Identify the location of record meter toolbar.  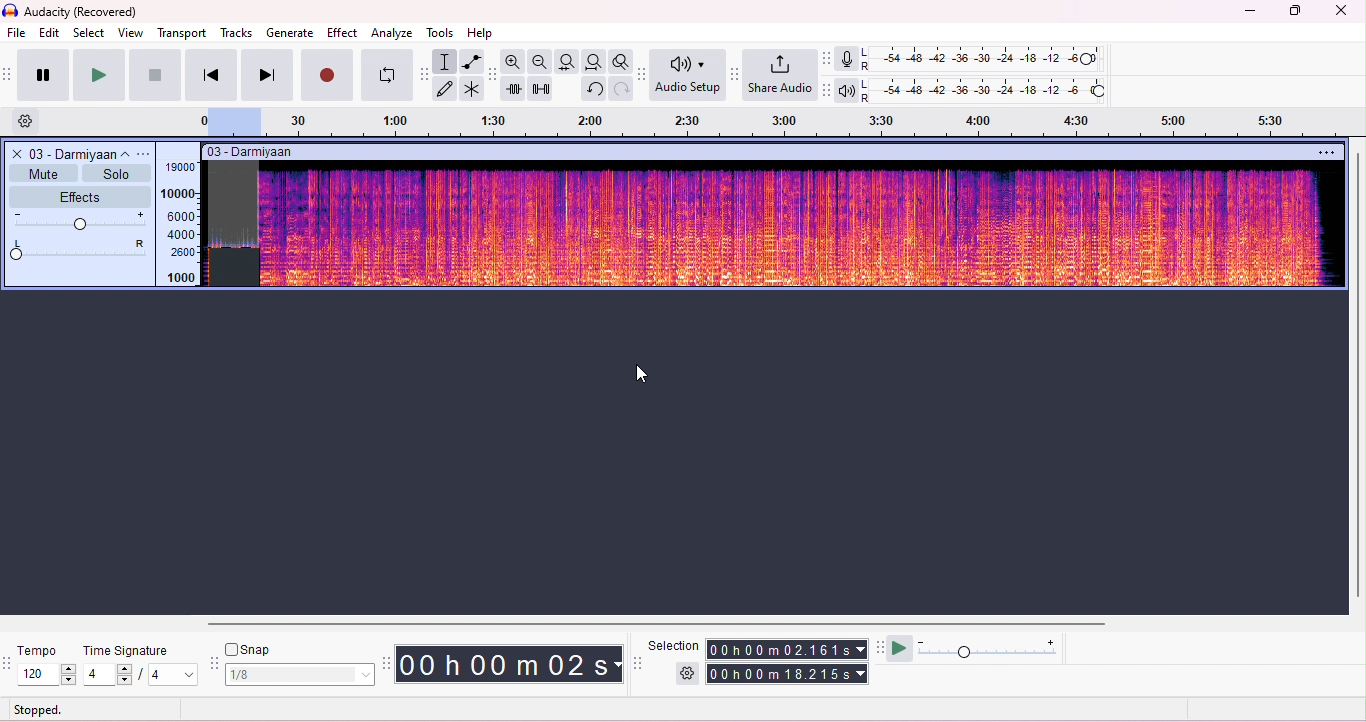
(828, 58).